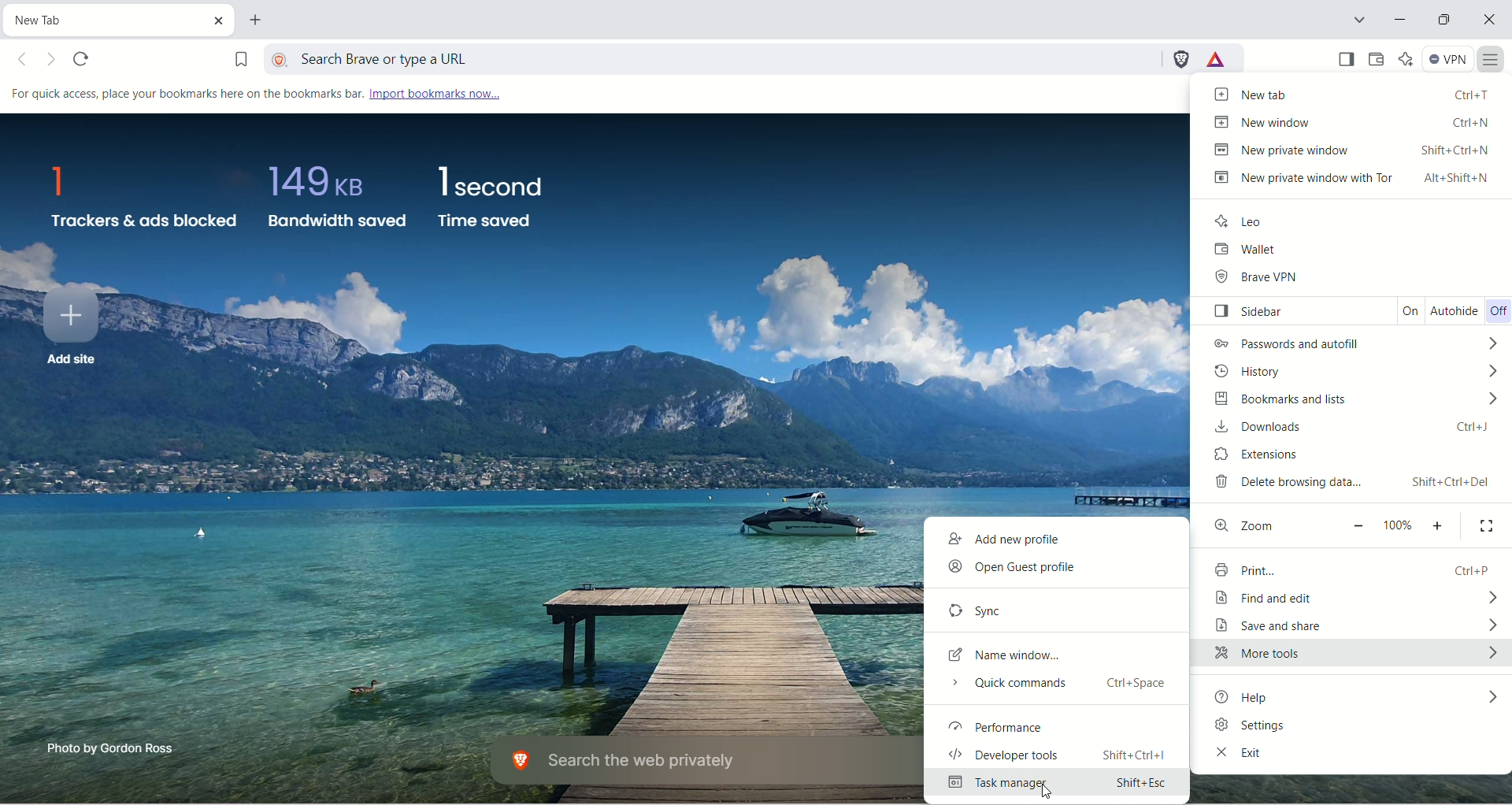  Describe the element at coordinates (183, 95) in the screenshot. I see `For quick access, place your bookmarks here on the bookmarks bar` at that location.